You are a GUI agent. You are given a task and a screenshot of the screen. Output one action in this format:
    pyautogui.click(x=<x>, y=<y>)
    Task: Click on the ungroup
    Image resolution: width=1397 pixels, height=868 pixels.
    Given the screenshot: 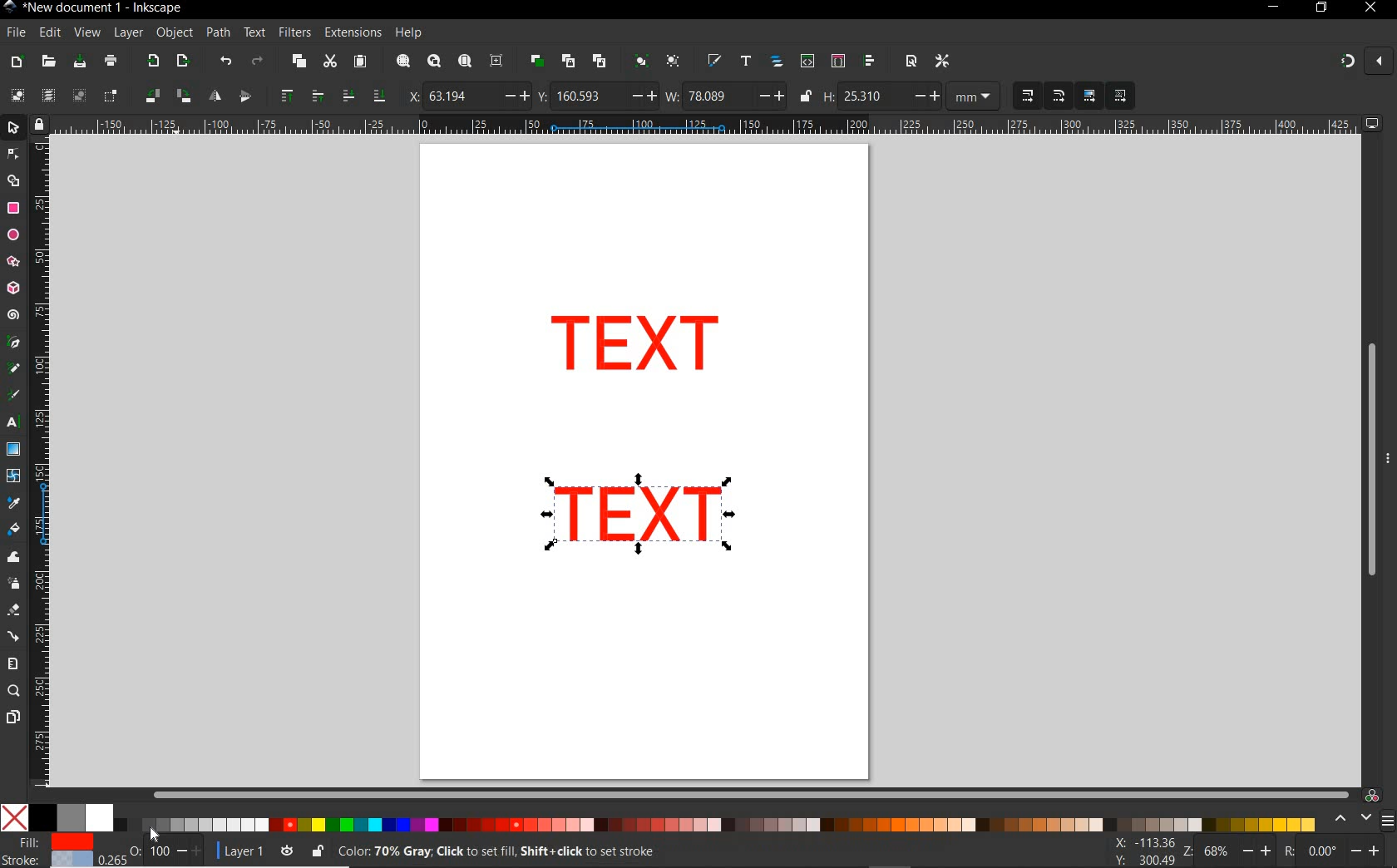 What is the action you would take?
    pyautogui.click(x=673, y=62)
    